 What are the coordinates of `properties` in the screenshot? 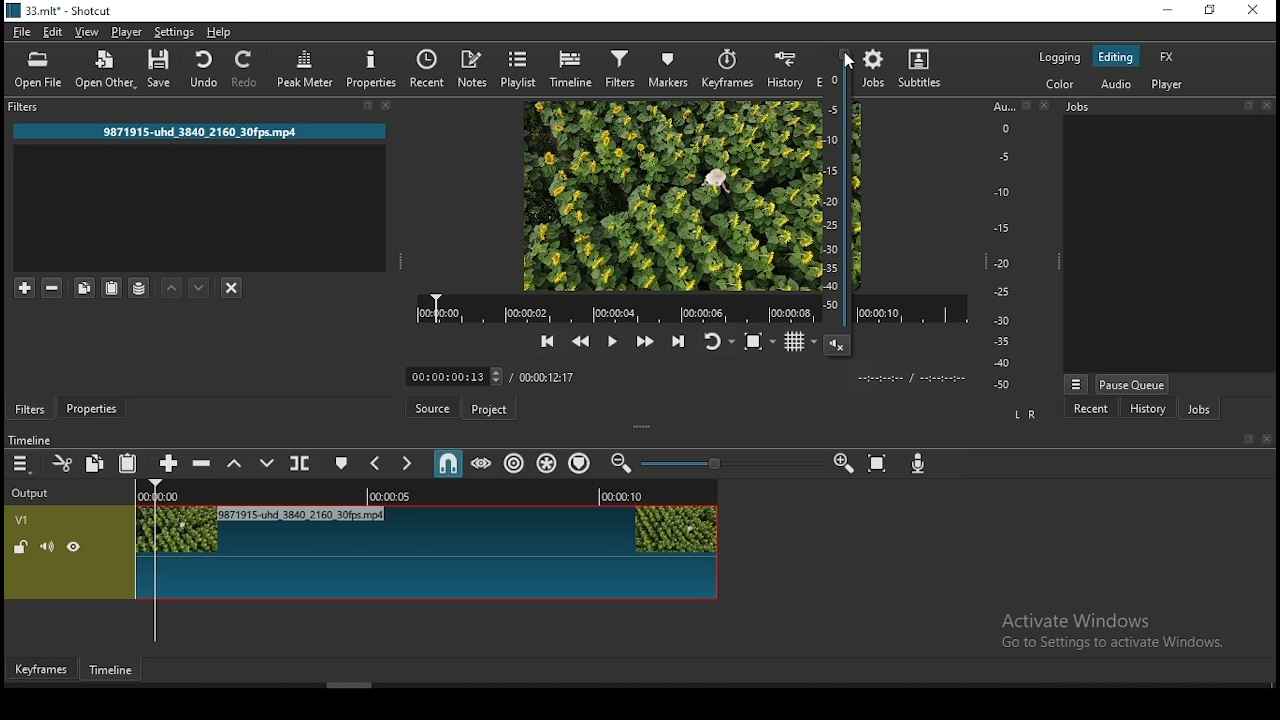 It's located at (92, 408).